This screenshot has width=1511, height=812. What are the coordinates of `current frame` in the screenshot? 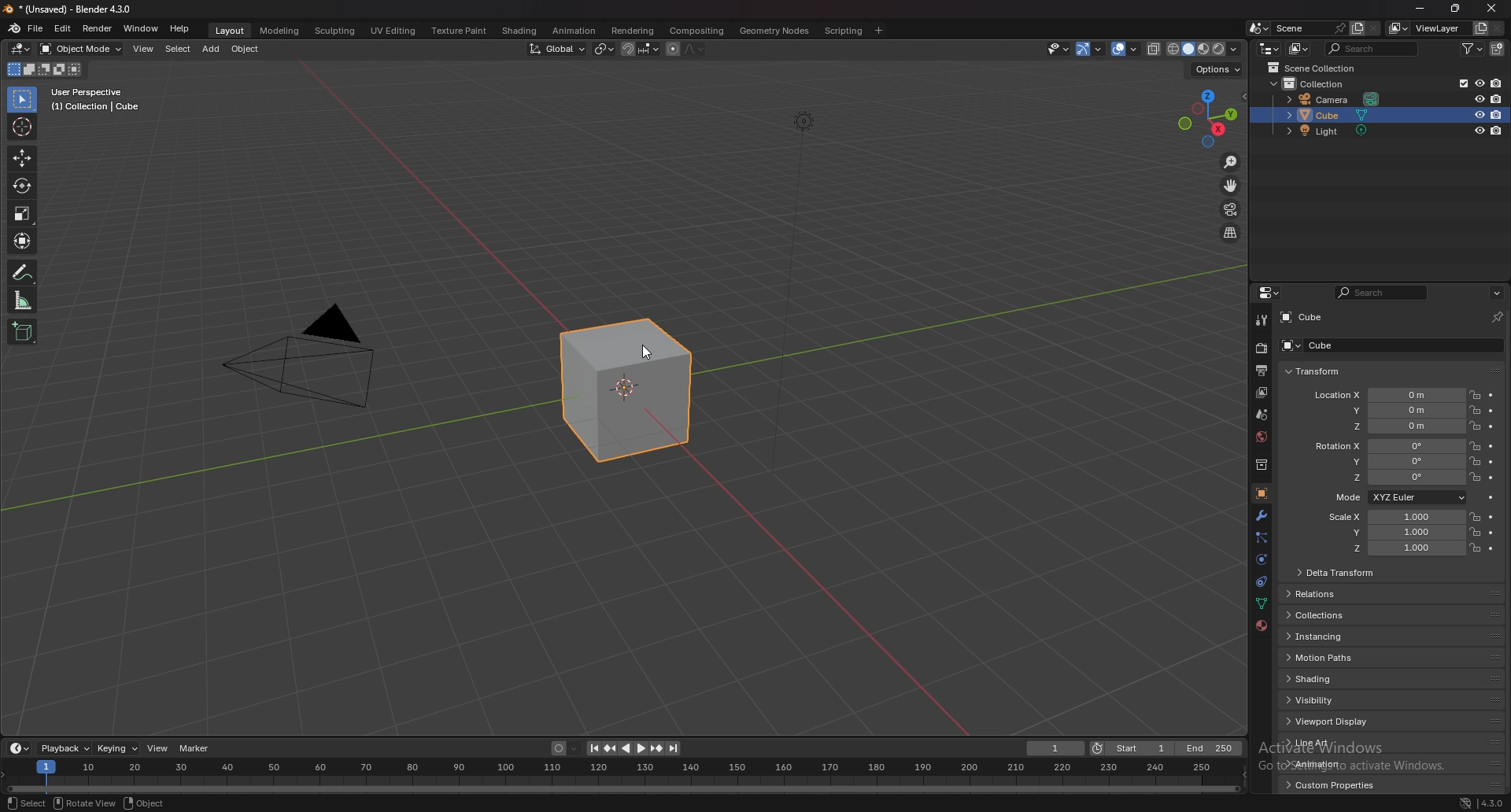 It's located at (1056, 748).